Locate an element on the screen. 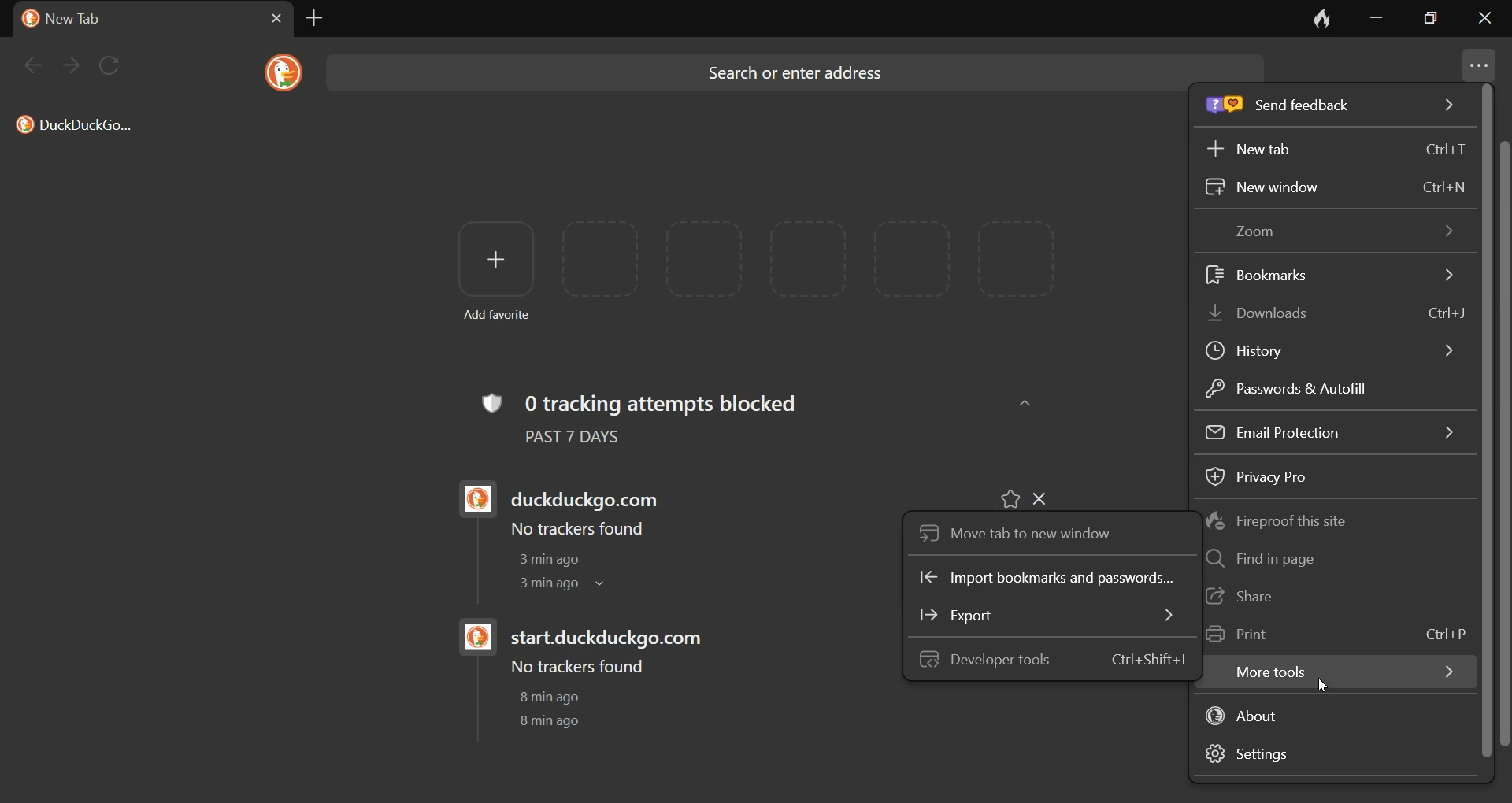 The height and width of the screenshot is (803, 1512). 0 tracking attempts blocked is located at coordinates (683, 401).